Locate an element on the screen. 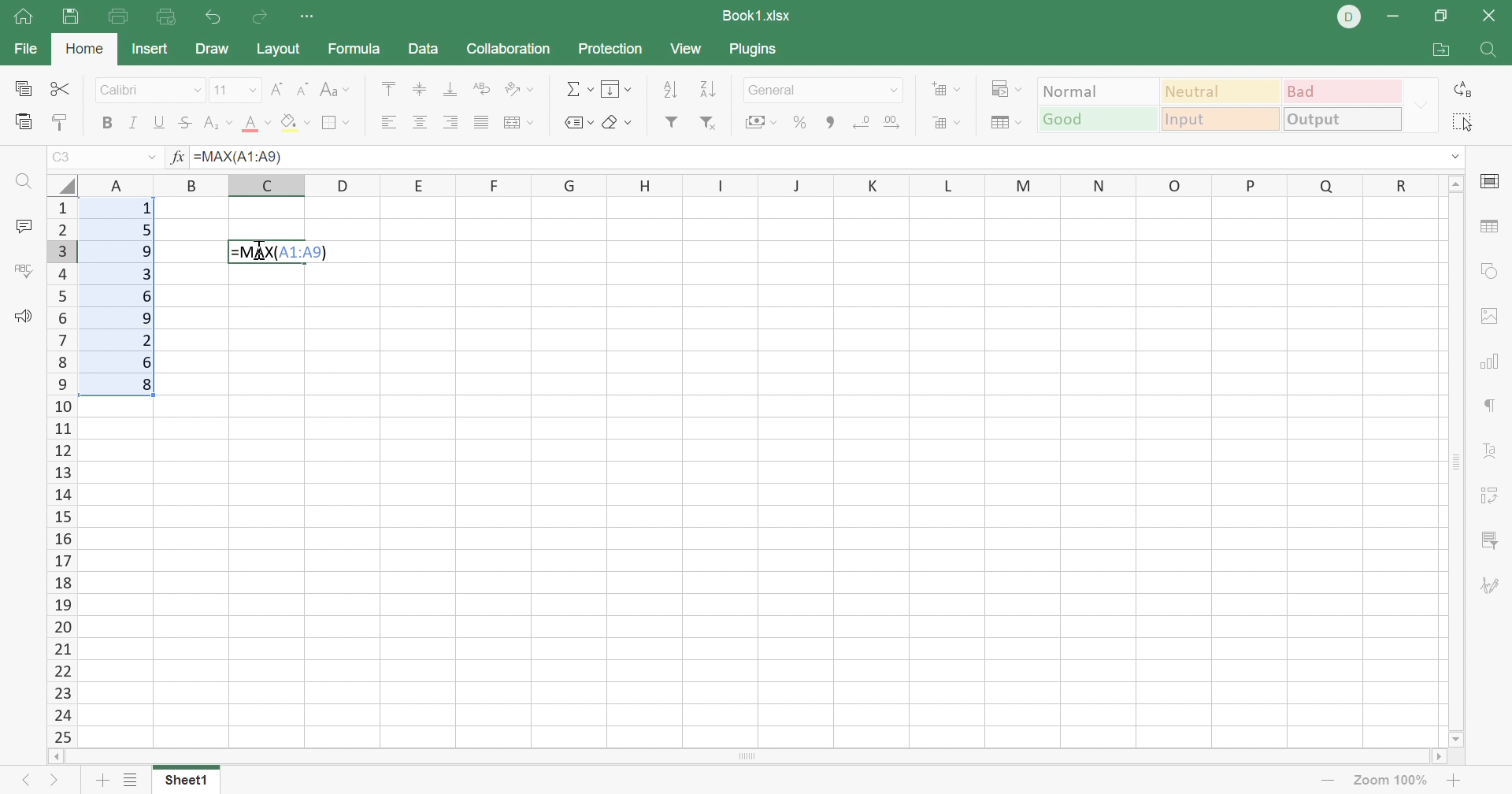 The image size is (1512, 794). Descending order is located at coordinates (710, 90).